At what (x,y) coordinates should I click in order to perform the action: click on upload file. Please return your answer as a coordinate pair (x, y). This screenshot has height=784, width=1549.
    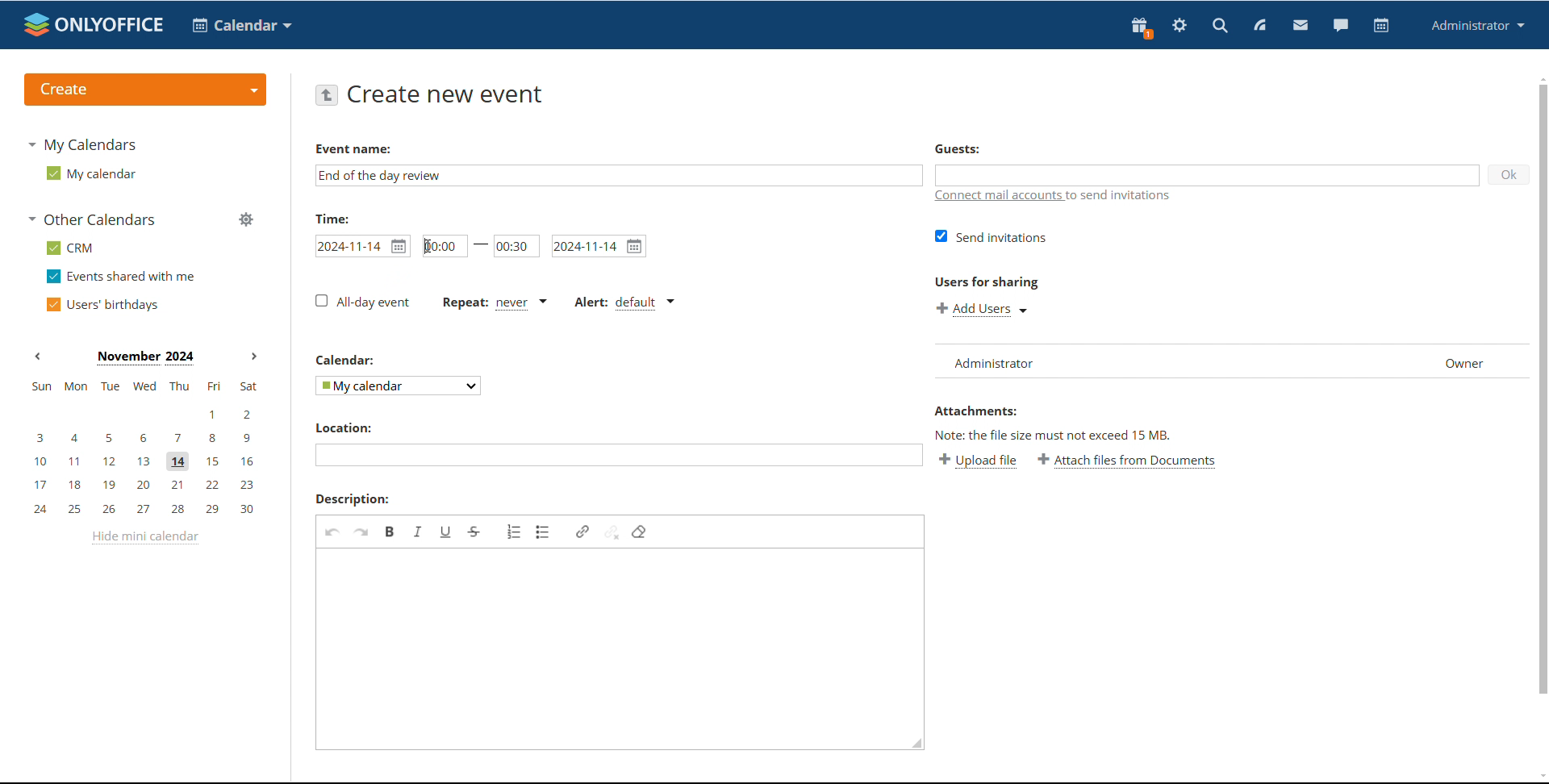
    Looking at the image, I should click on (978, 460).